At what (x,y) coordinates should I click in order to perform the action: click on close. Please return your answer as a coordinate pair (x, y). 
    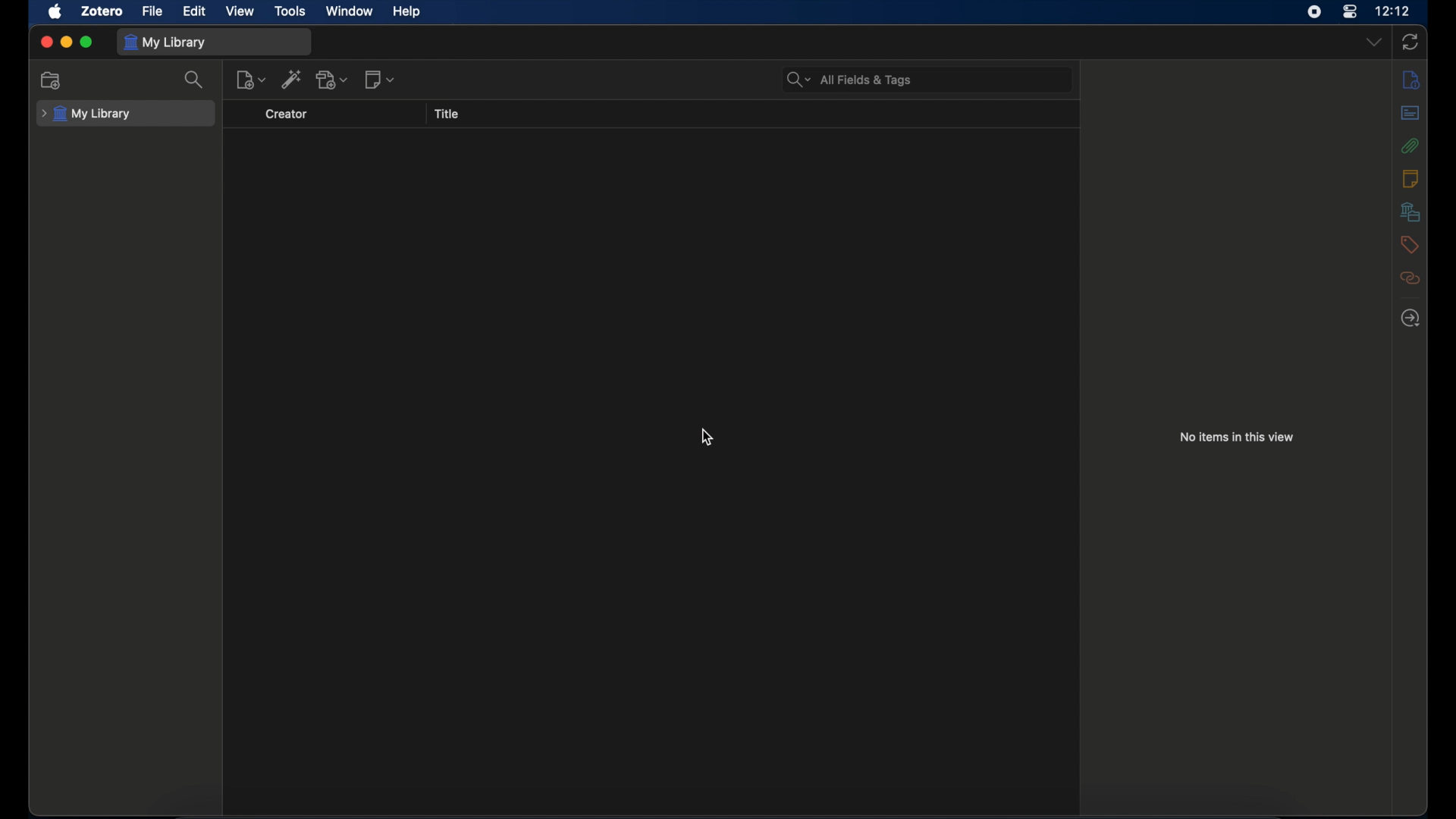
    Looking at the image, I should click on (46, 42).